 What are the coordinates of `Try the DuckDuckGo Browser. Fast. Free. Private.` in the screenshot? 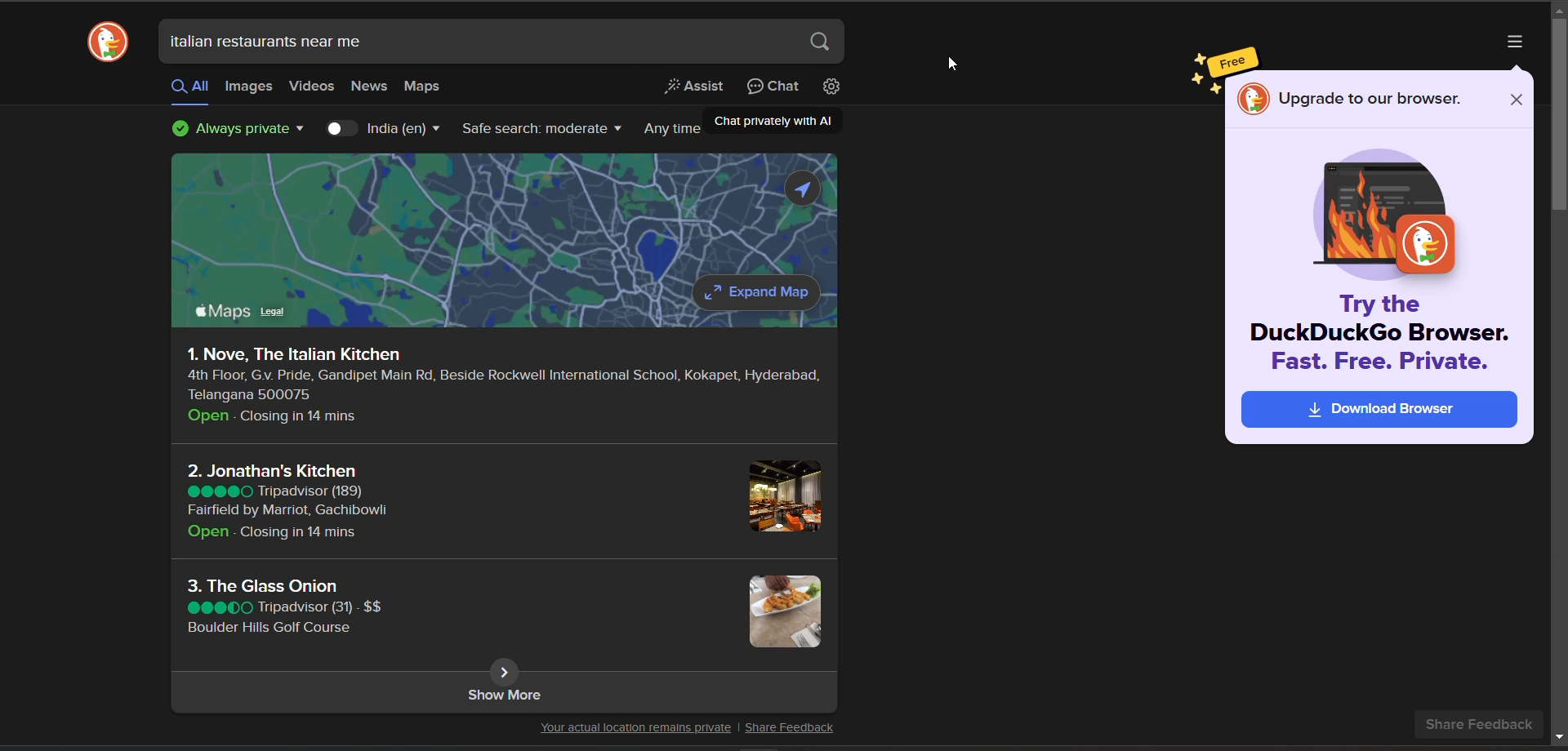 It's located at (1379, 332).